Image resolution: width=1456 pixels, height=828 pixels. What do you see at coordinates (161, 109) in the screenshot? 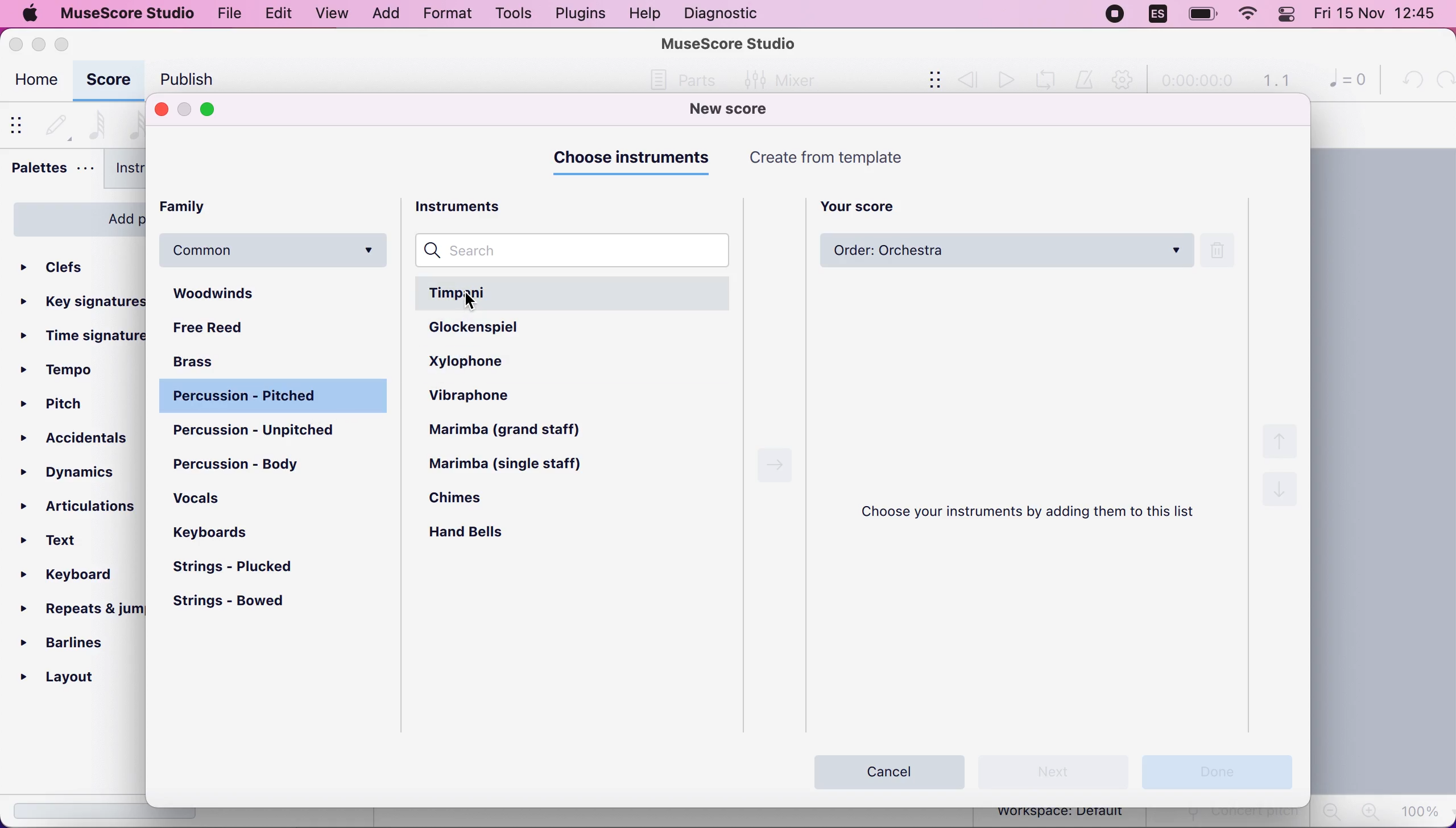
I see `close` at bounding box center [161, 109].